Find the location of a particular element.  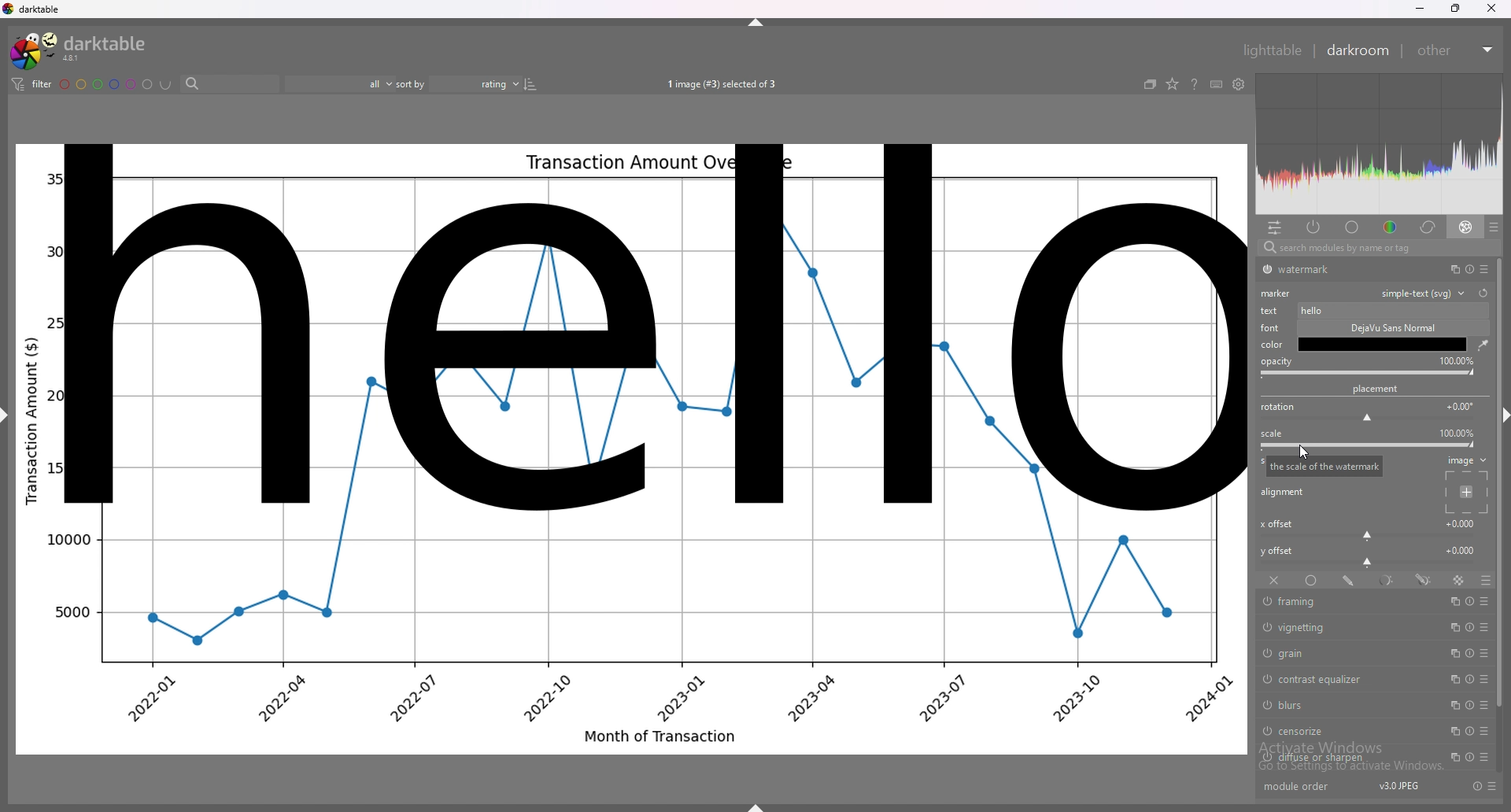

presets is located at coordinates (1485, 733).